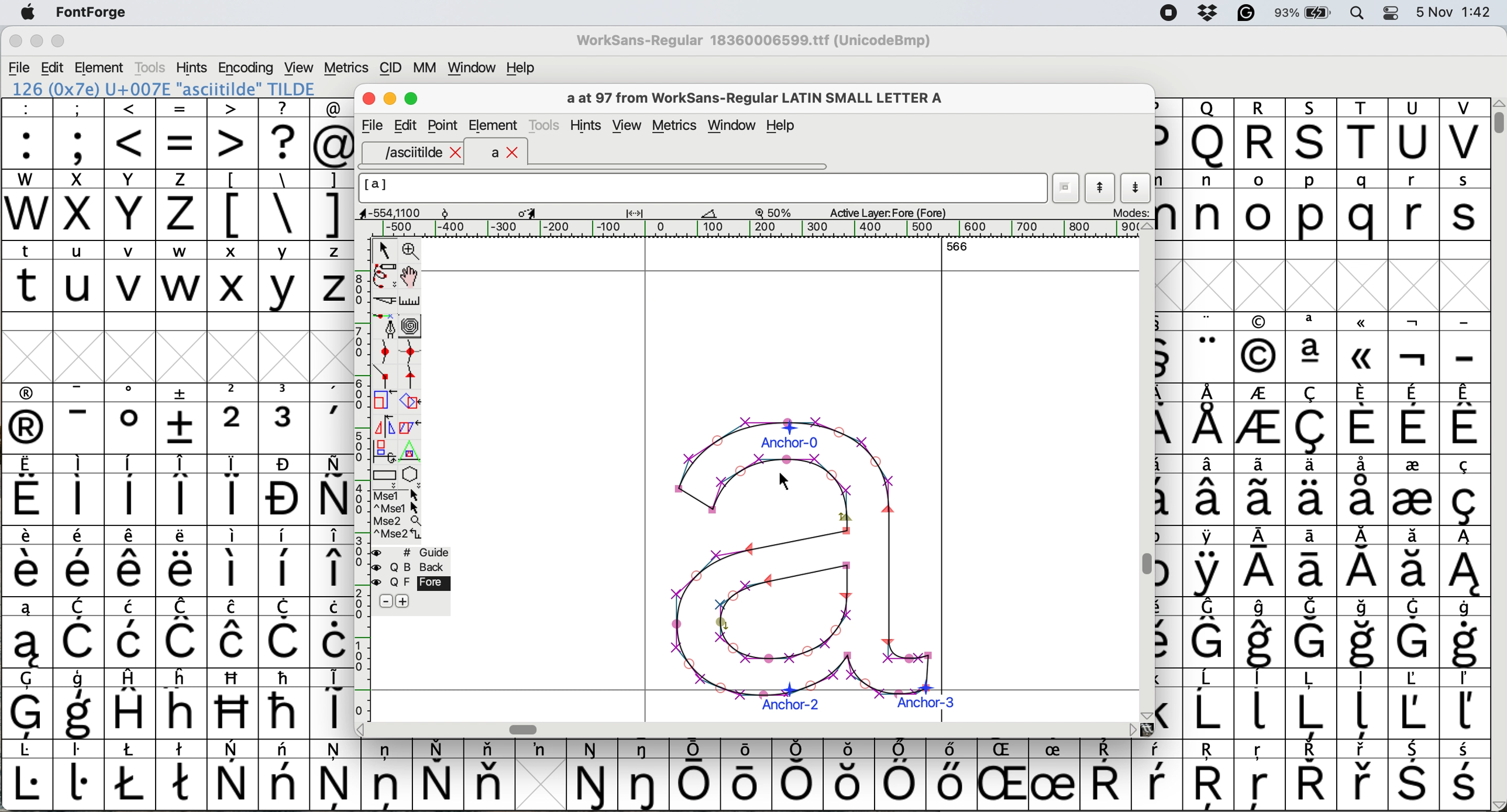 Image resolution: width=1507 pixels, height=812 pixels. I want to click on symbol, so click(800, 774).